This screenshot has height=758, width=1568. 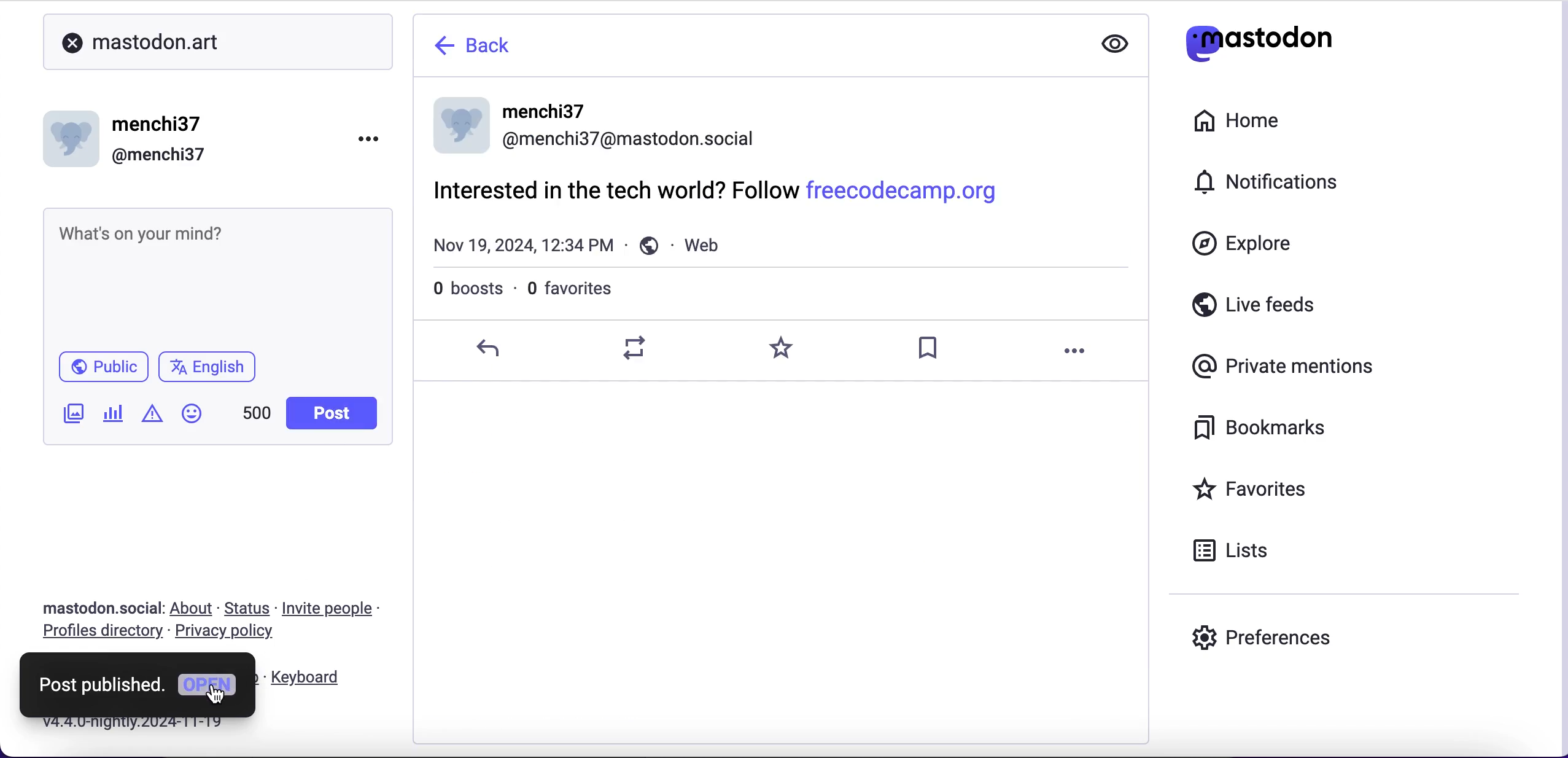 What do you see at coordinates (637, 348) in the screenshot?
I see `reboost` at bounding box center [637, 348].